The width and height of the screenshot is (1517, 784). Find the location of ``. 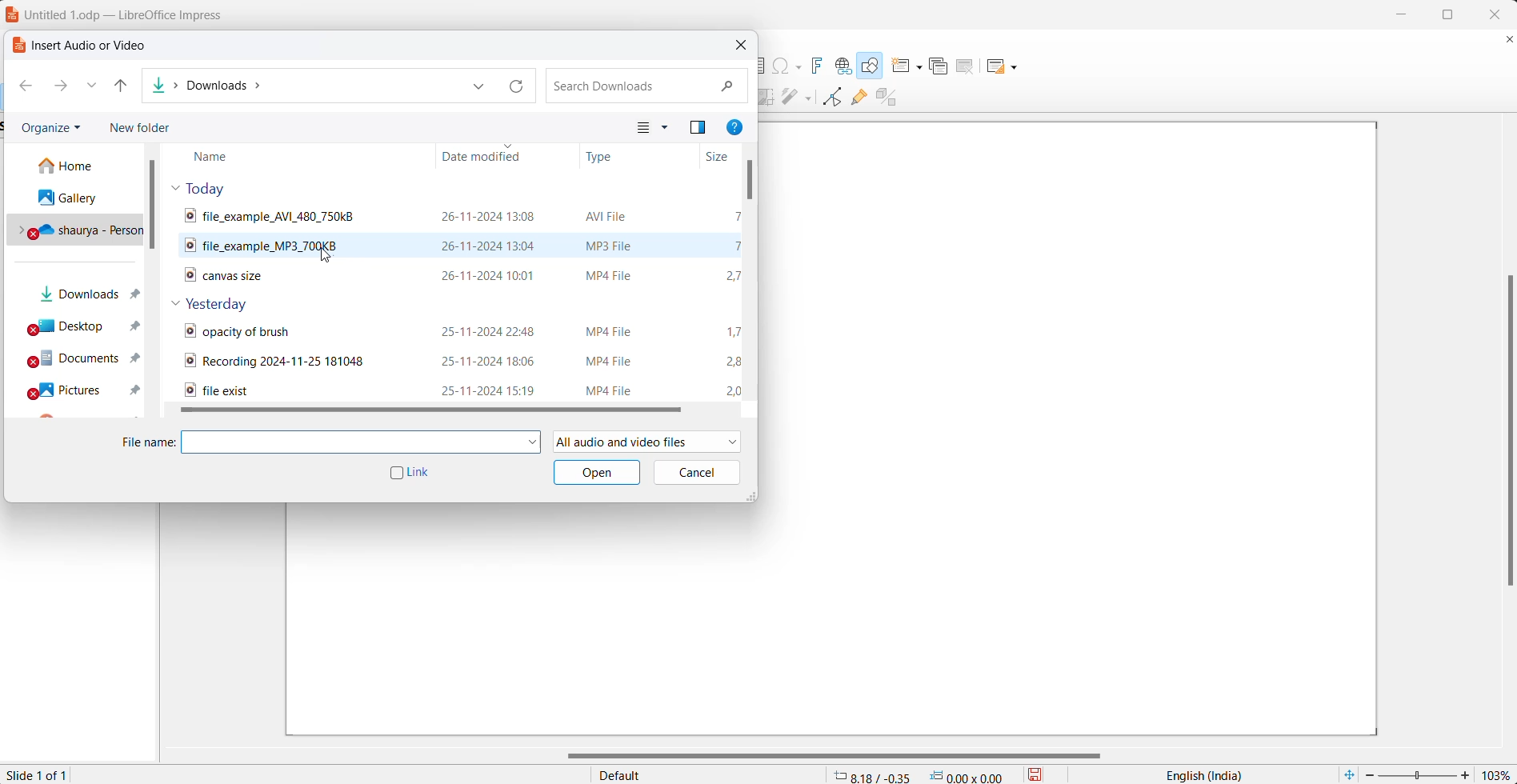

 is located at coordinates (1197, 774).